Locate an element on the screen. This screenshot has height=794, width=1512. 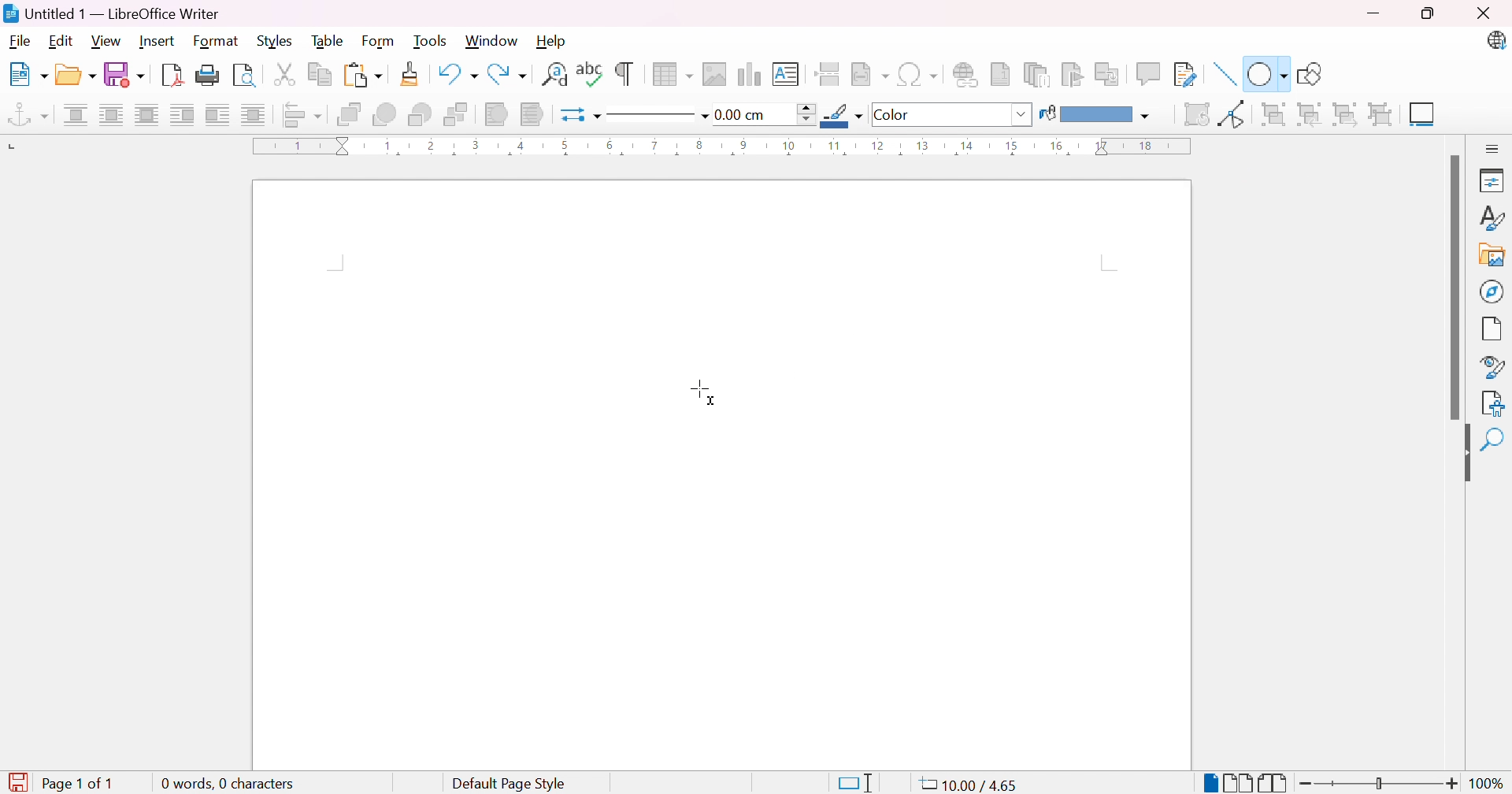
Open is located at coordinates (76, 75).